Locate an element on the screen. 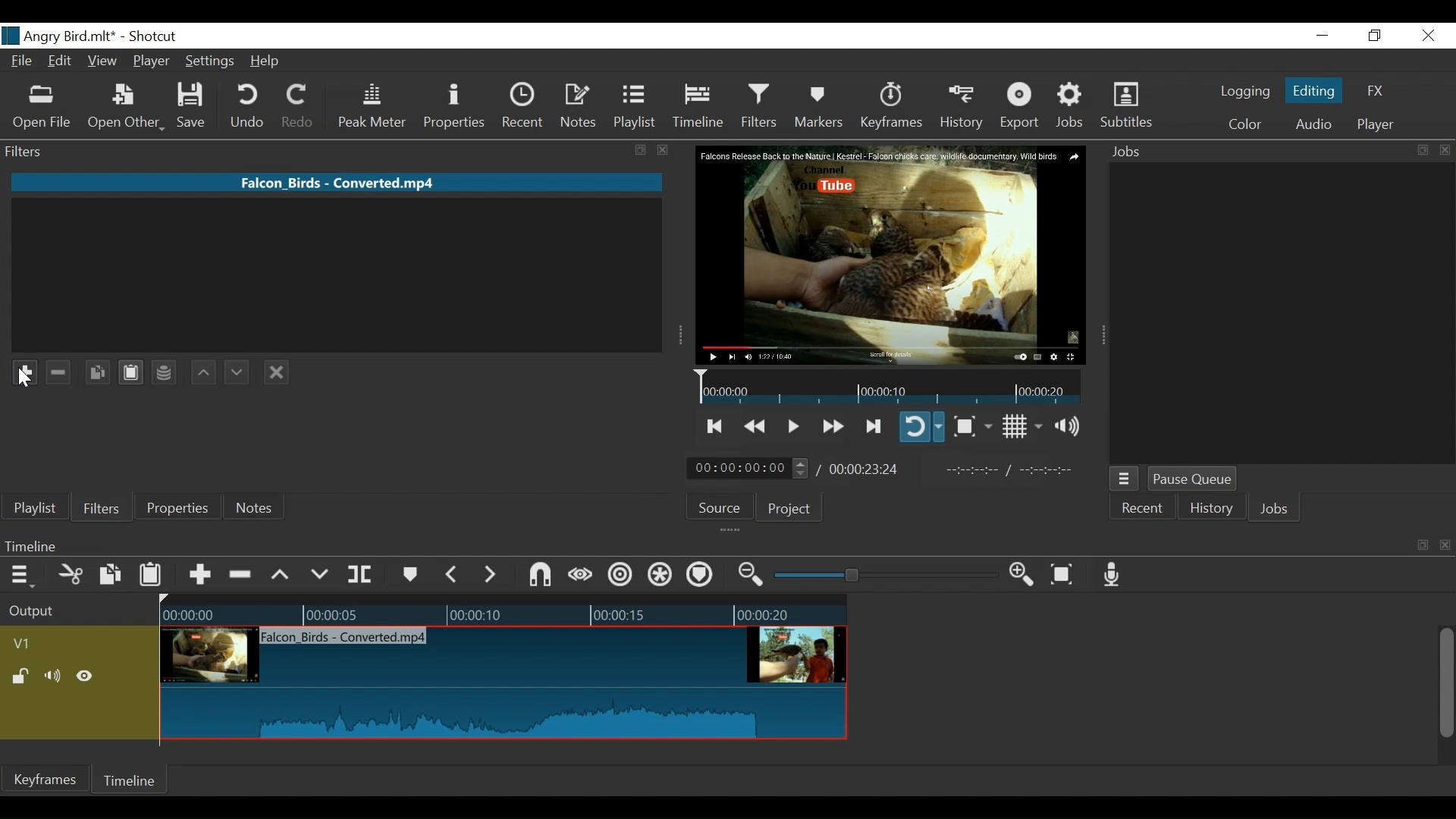  Edit is located at coordinates (62, 62).